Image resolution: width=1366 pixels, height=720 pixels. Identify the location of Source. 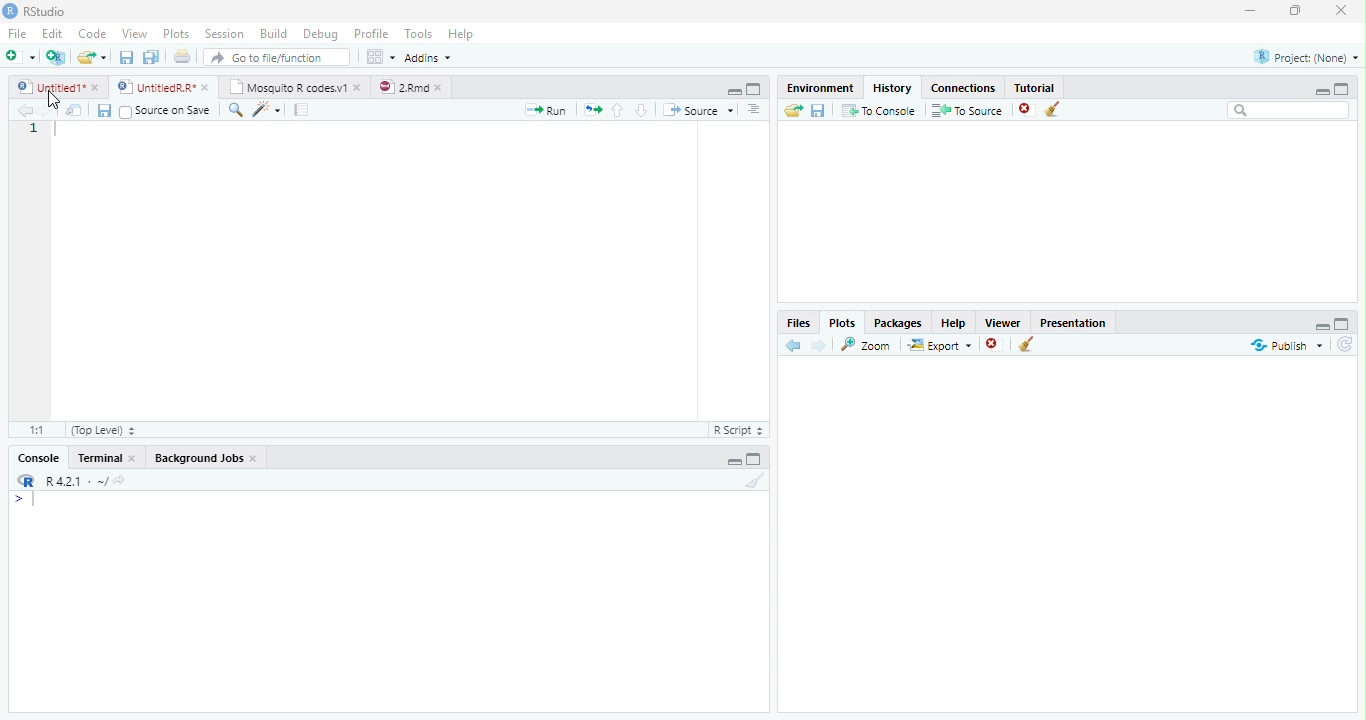
(698, 111).